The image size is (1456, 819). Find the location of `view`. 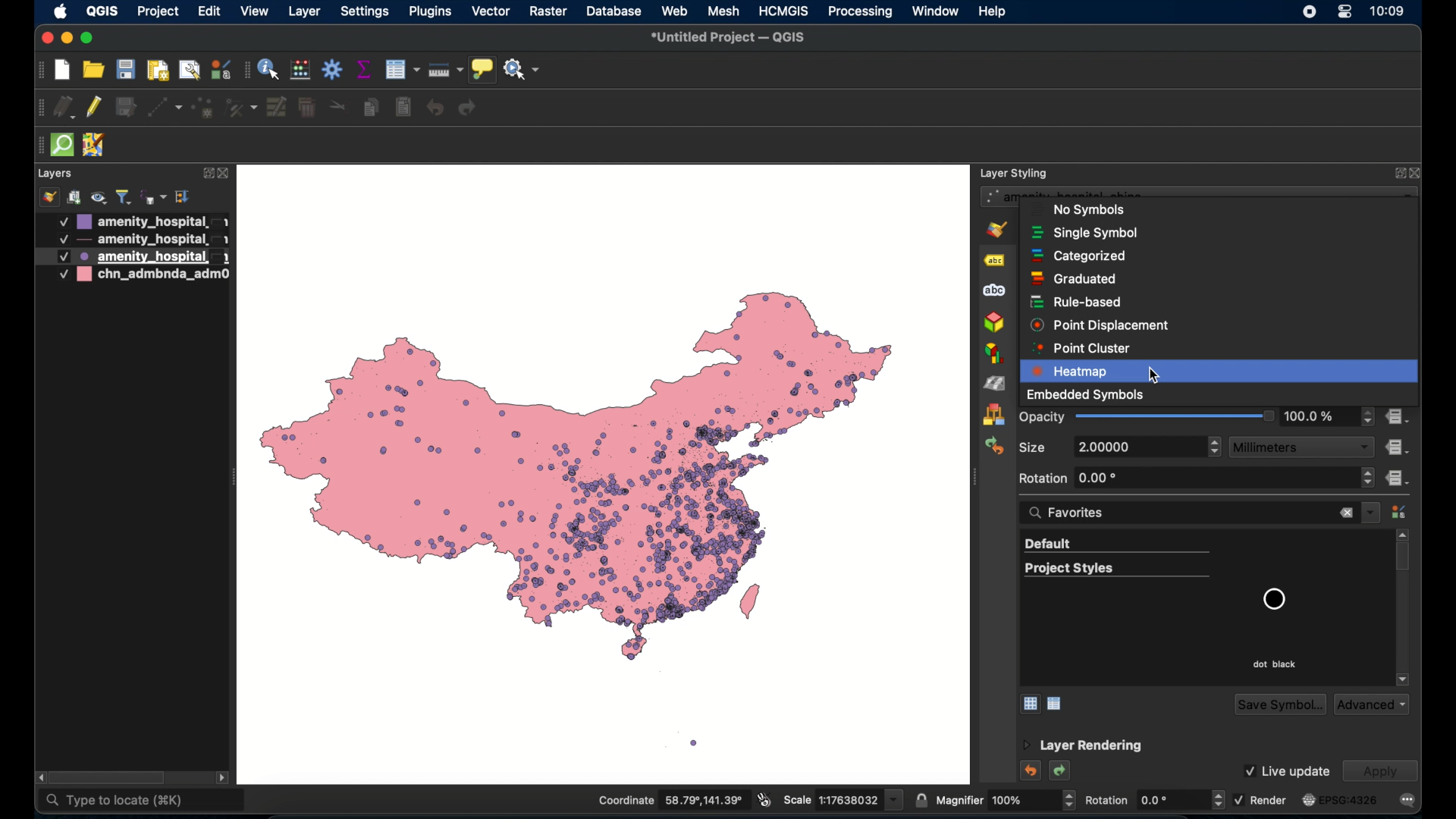

view is located at coordinates (255, 12).